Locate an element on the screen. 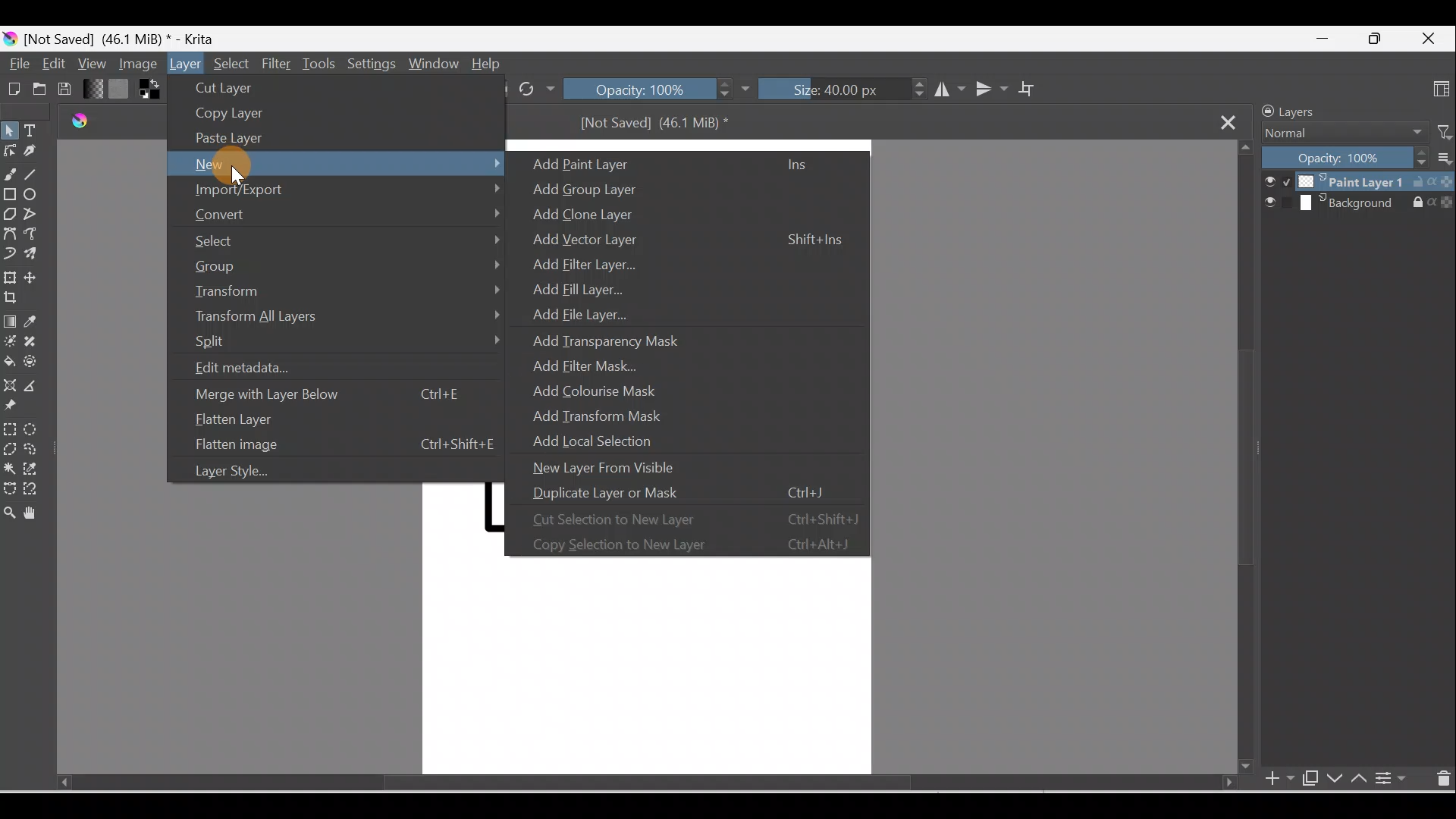 This screenshot has width=1456, height=819. Set foreground & background colors is located at coordinates (149, 92).